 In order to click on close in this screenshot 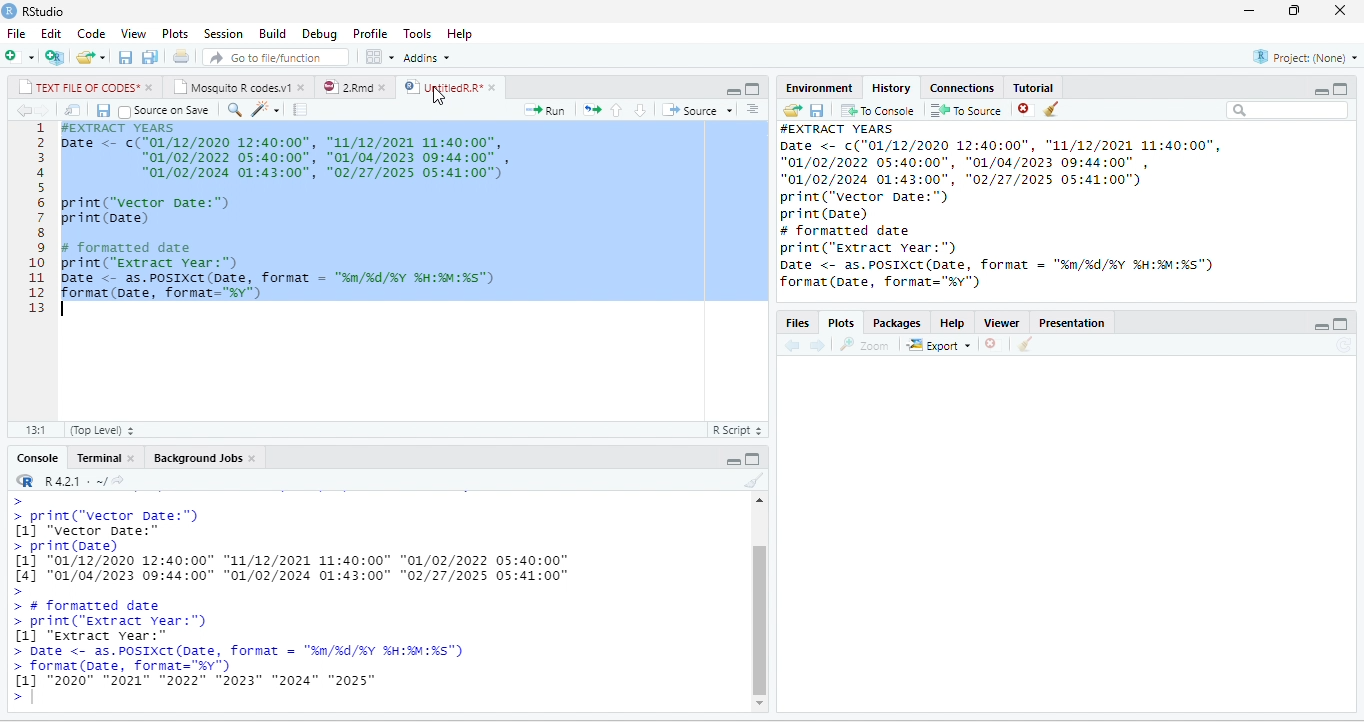, I will do `click(494, 88)`.